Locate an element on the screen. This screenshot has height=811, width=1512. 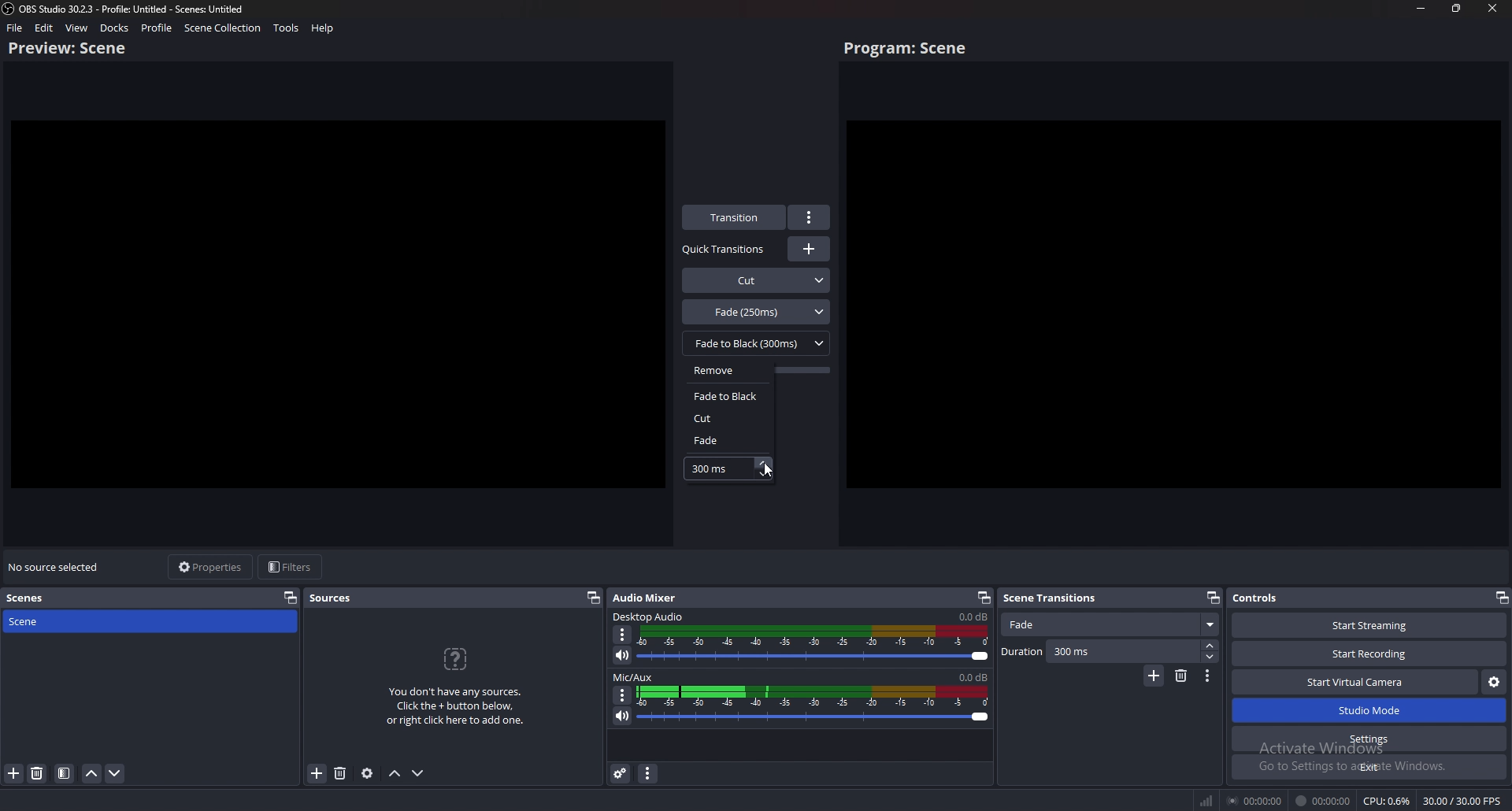
mic/aux sound is located at coordinates (972, 676).